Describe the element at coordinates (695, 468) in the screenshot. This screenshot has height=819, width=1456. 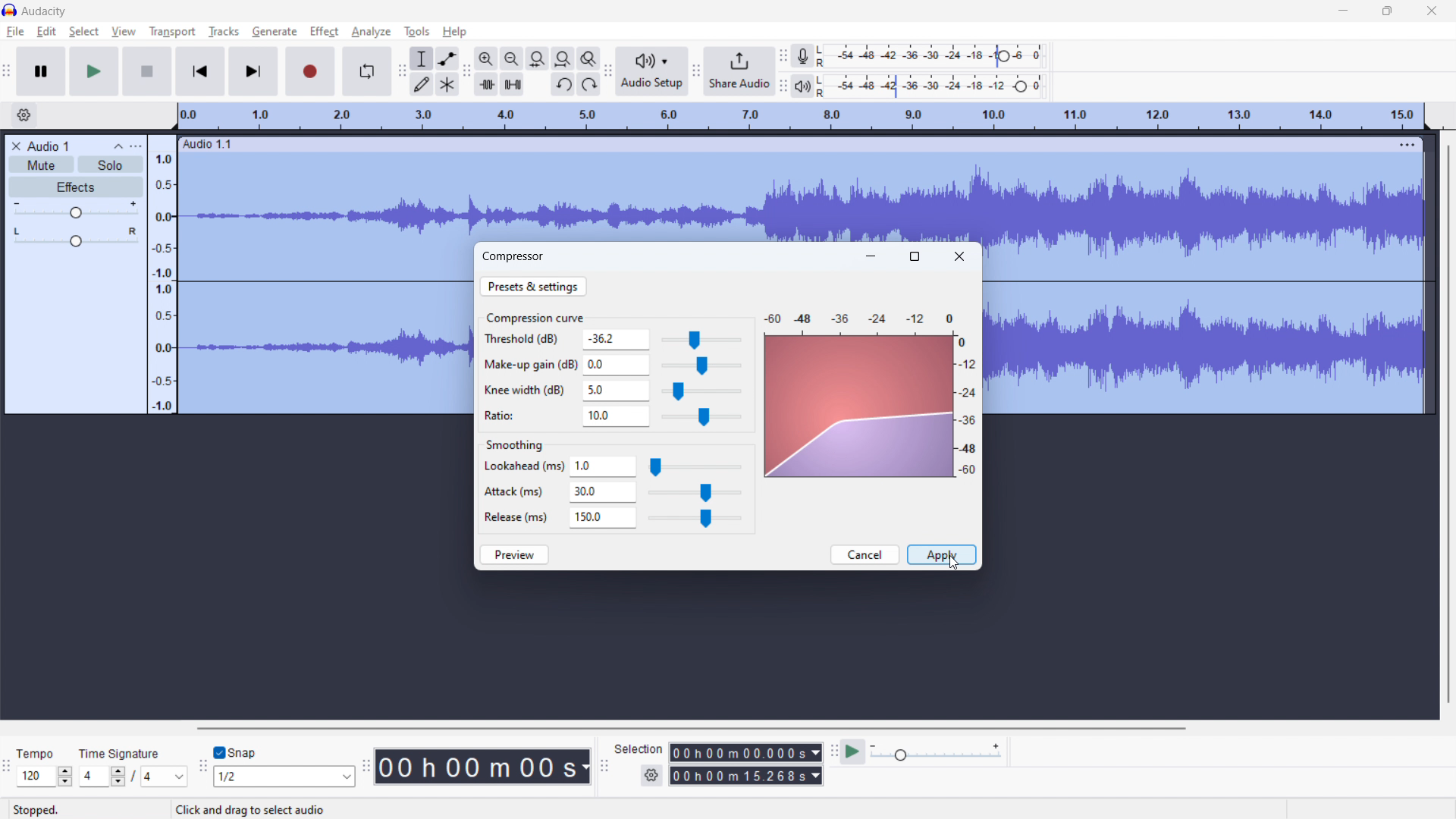
I see `lookahead slider` at that location.